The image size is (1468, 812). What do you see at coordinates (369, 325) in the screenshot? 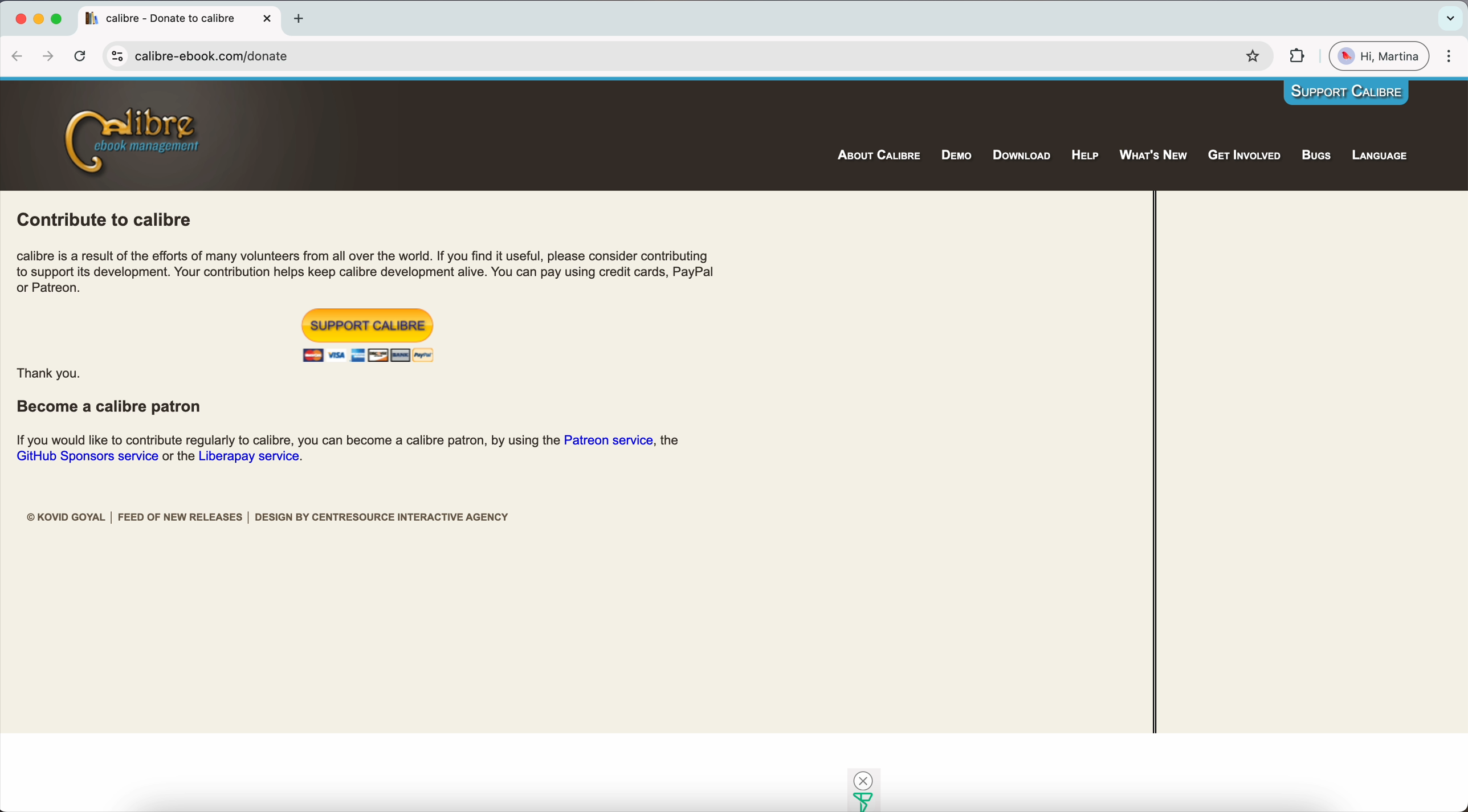
I see `support calibre` at bounding box center [369, 325].